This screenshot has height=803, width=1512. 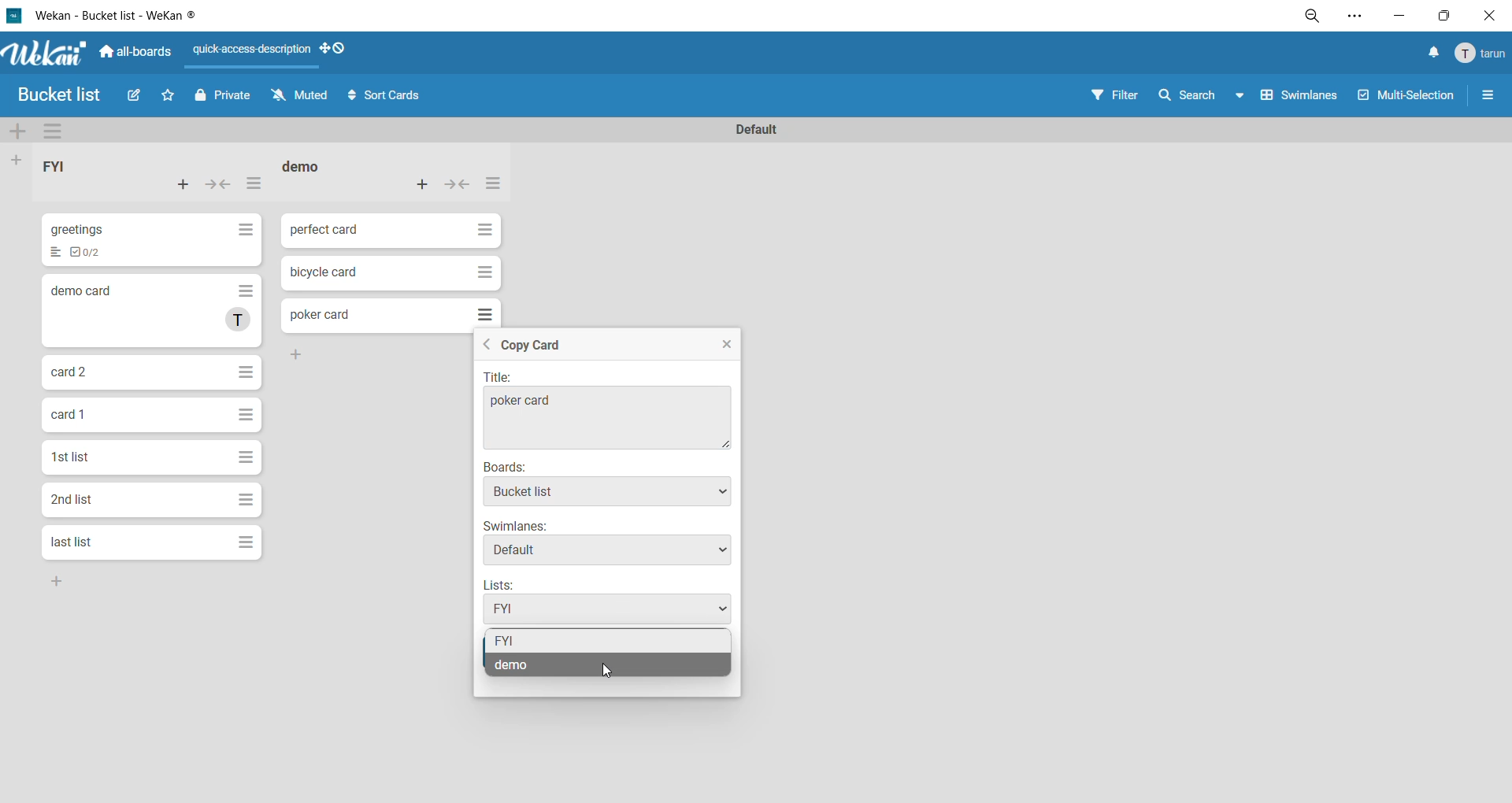 I want to click on List, so click(x=51, y=253).